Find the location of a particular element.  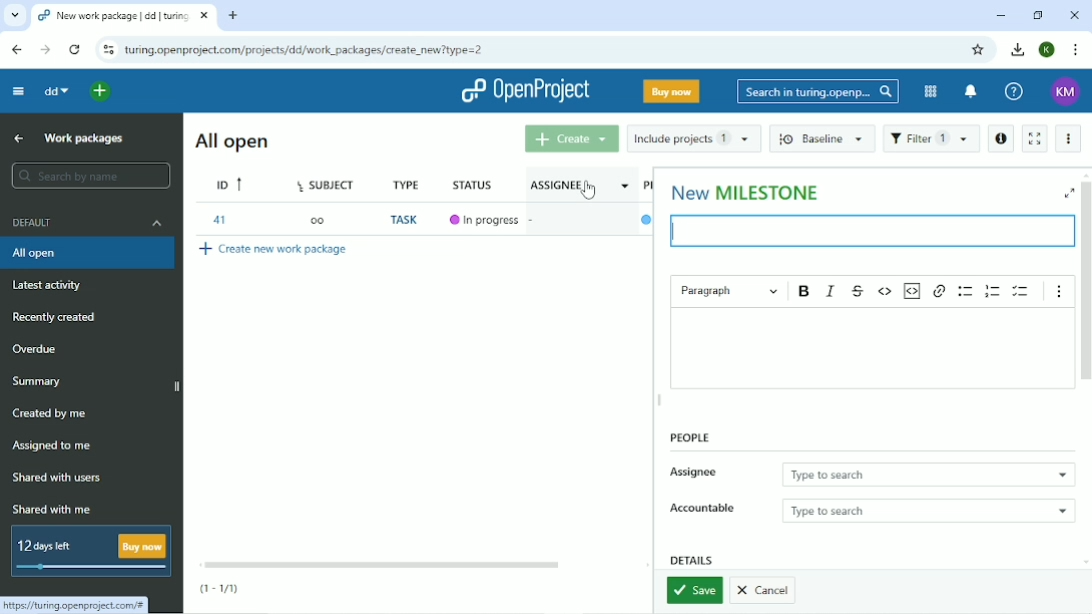

Open details view is located at coordinates (1000, 139).